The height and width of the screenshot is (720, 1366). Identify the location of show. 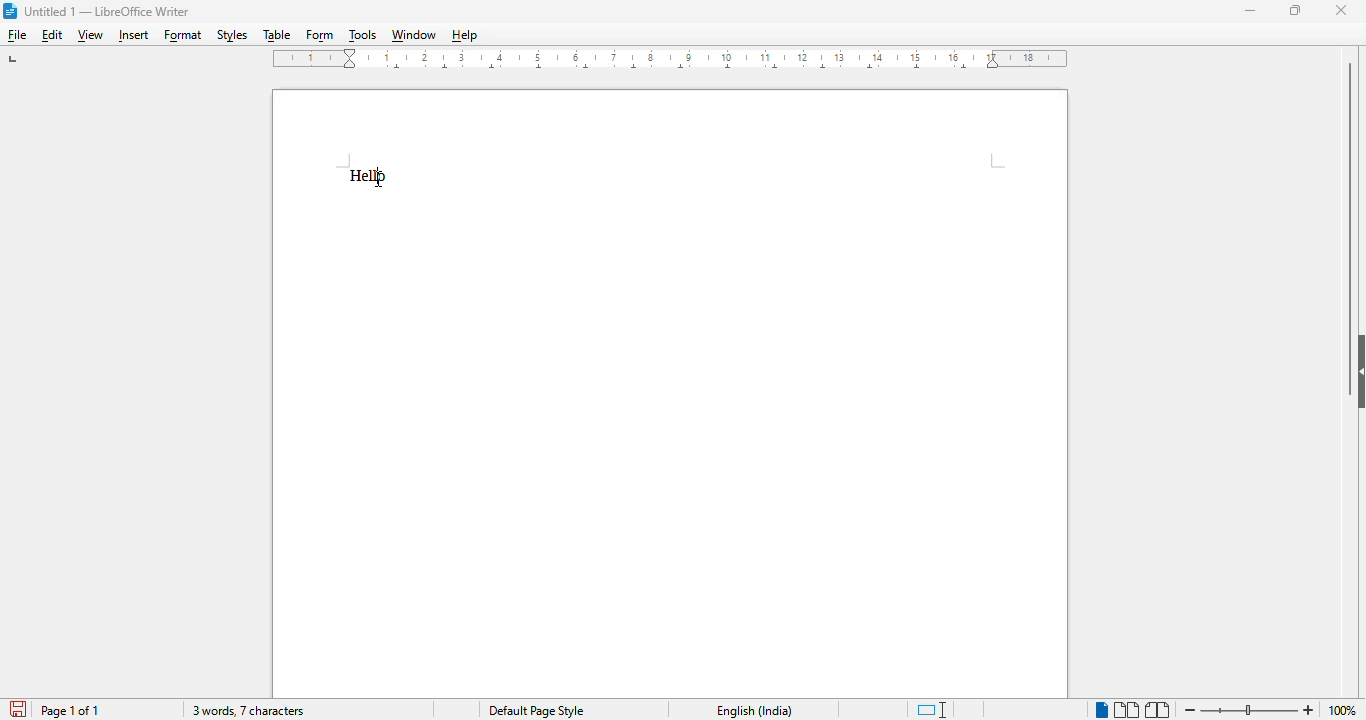
(1357, 372).